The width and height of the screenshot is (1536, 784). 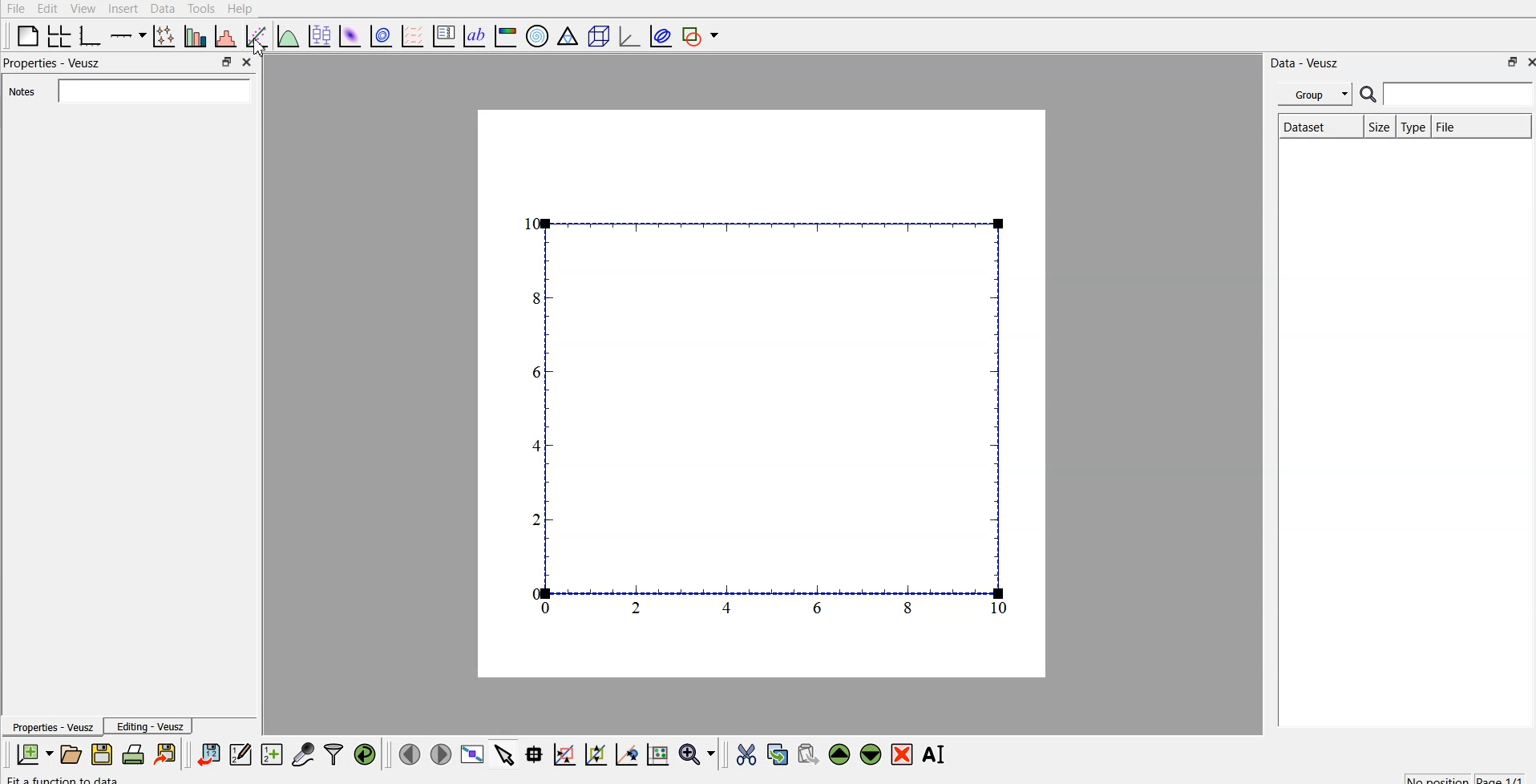 What do you see at coordinates (745, 757) in the screenshot?
I see `cut the selected widget` at bounding box center [745, 757].